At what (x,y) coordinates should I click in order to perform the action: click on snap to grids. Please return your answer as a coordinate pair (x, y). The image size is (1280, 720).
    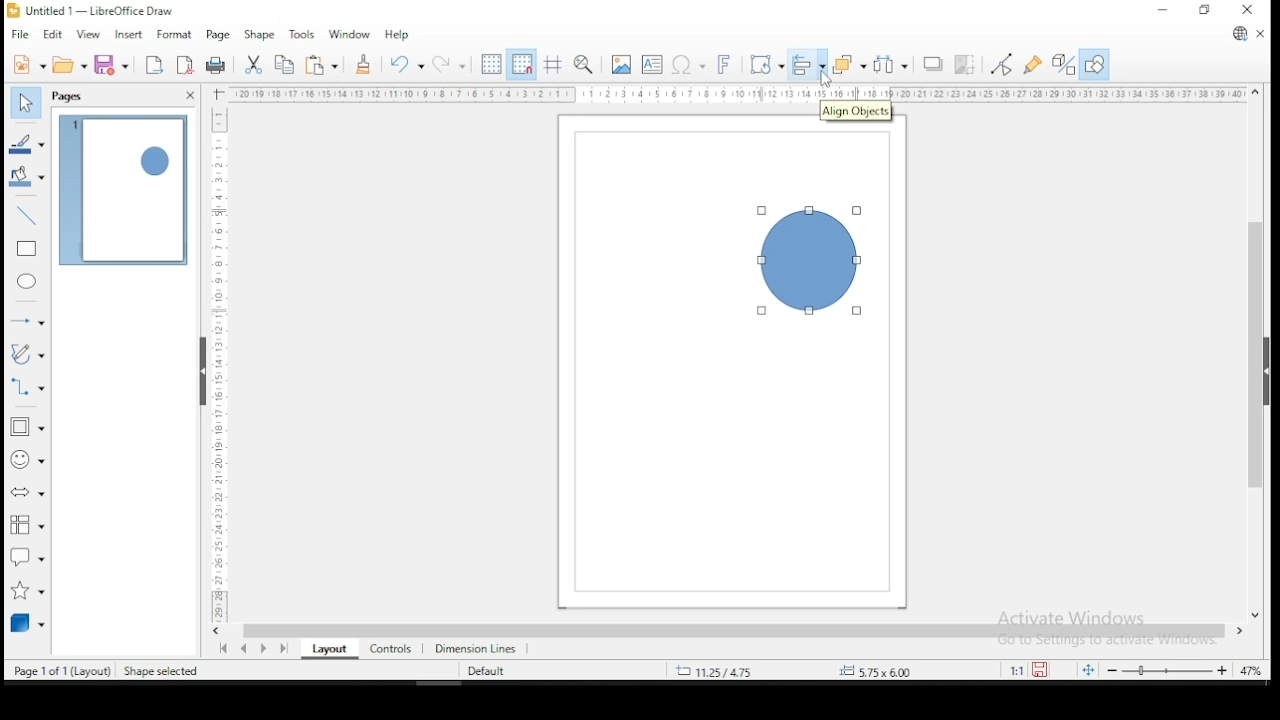
    Looking at the image, I should click on (521, 64).